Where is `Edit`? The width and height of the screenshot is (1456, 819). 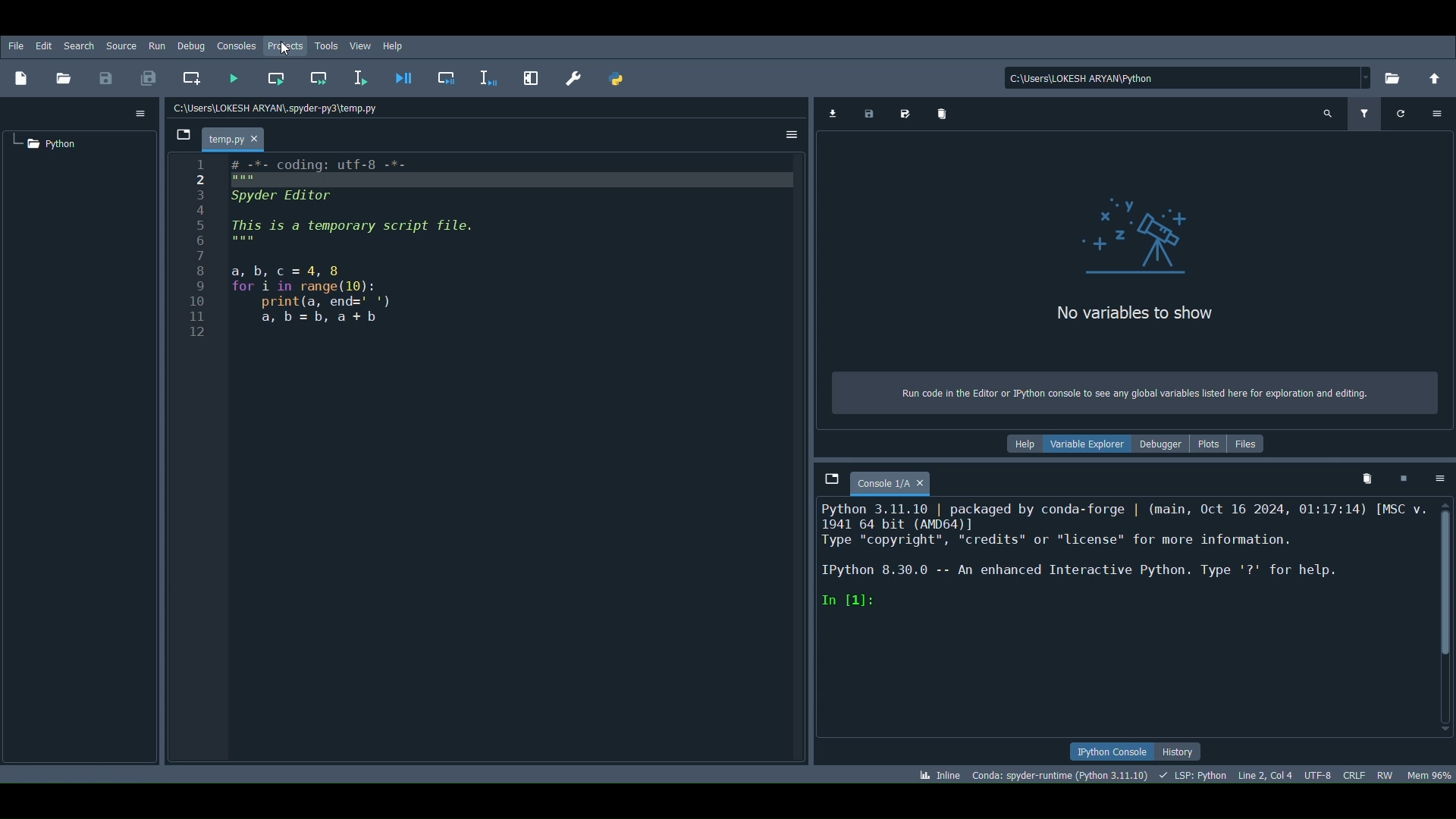 Edit is located at coordinates (42, 45).